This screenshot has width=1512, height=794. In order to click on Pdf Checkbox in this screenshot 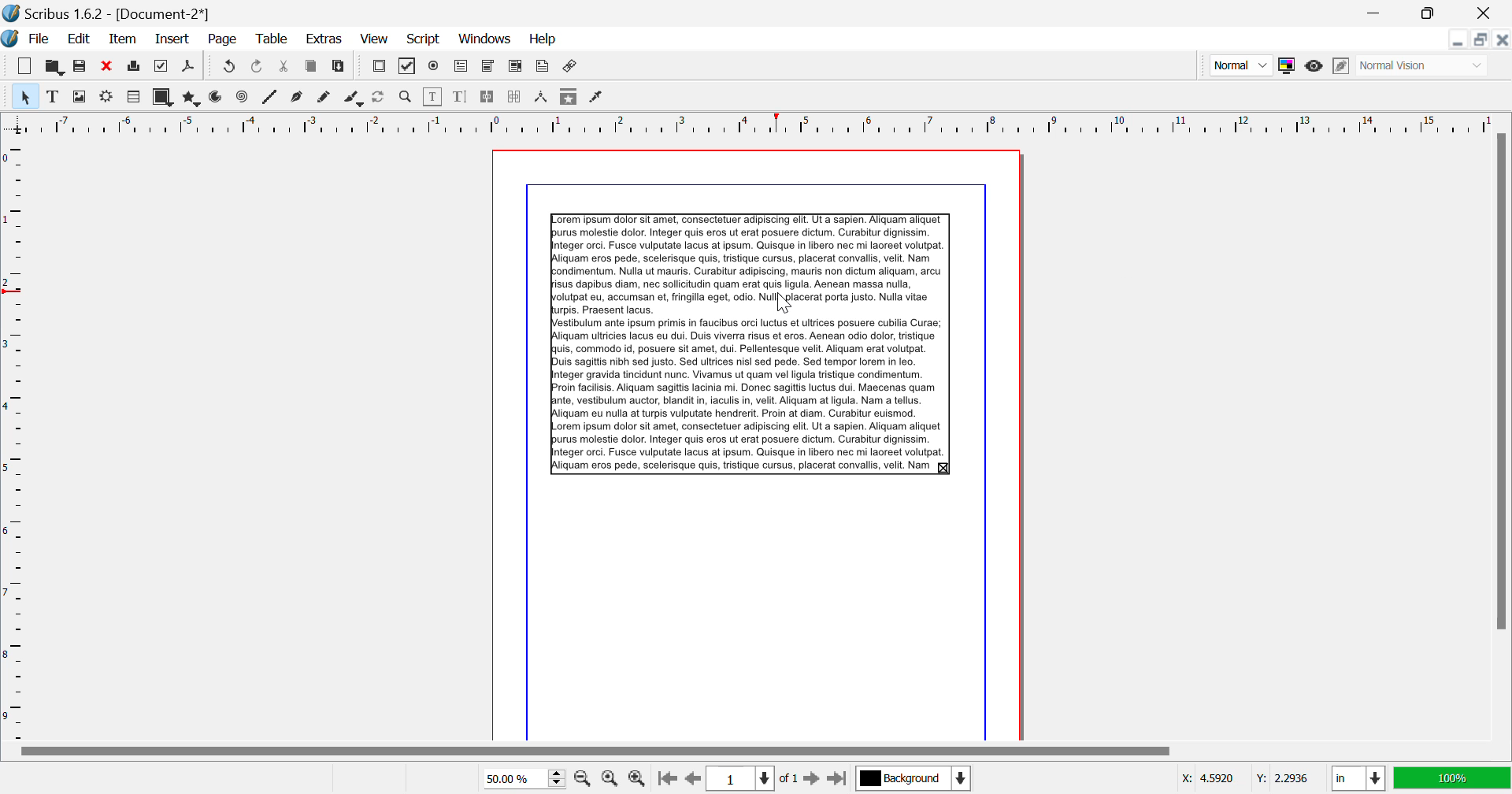, I will do `click(408, 69)`.